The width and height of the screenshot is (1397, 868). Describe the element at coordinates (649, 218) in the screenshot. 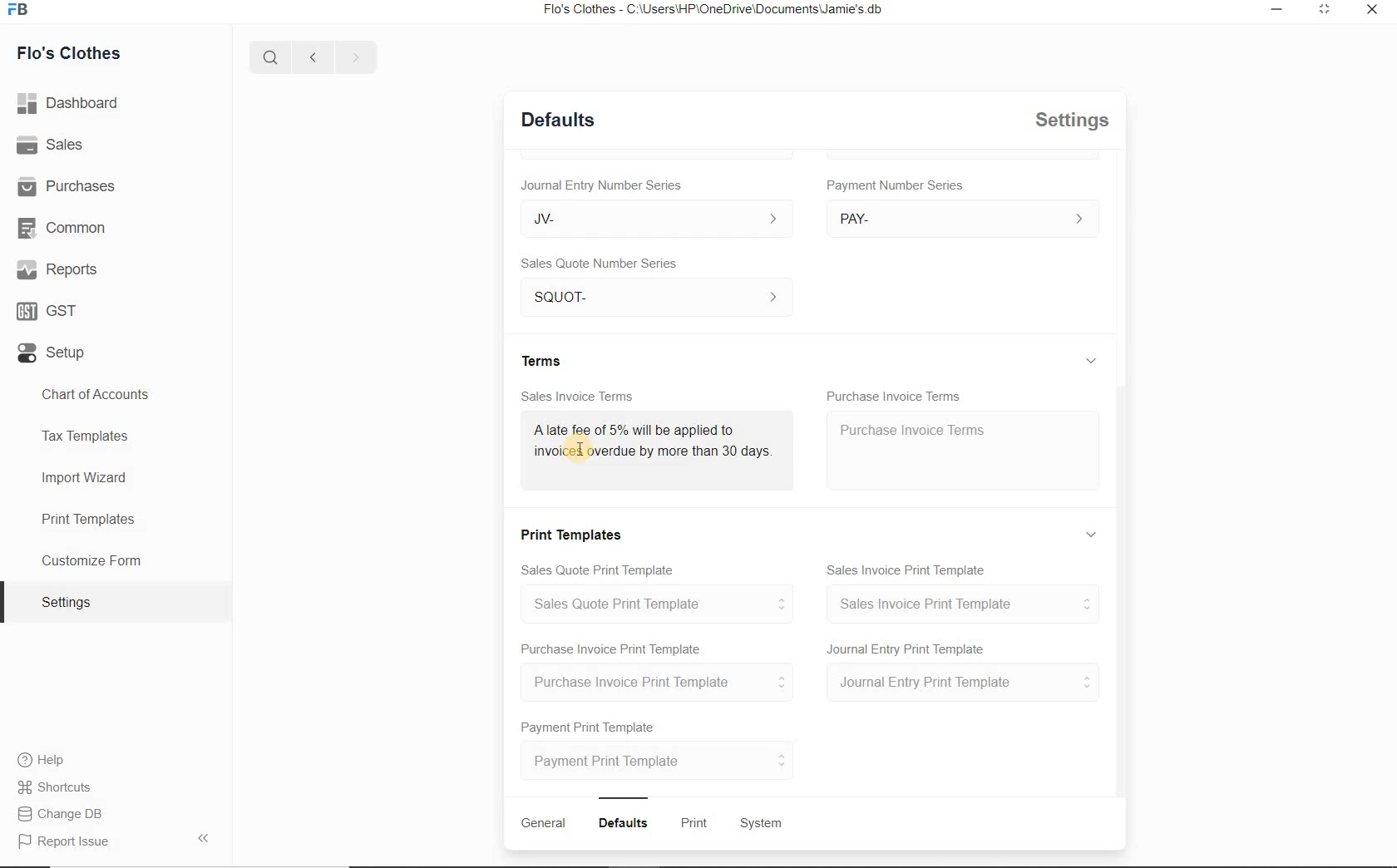

I see `JV` at that location.